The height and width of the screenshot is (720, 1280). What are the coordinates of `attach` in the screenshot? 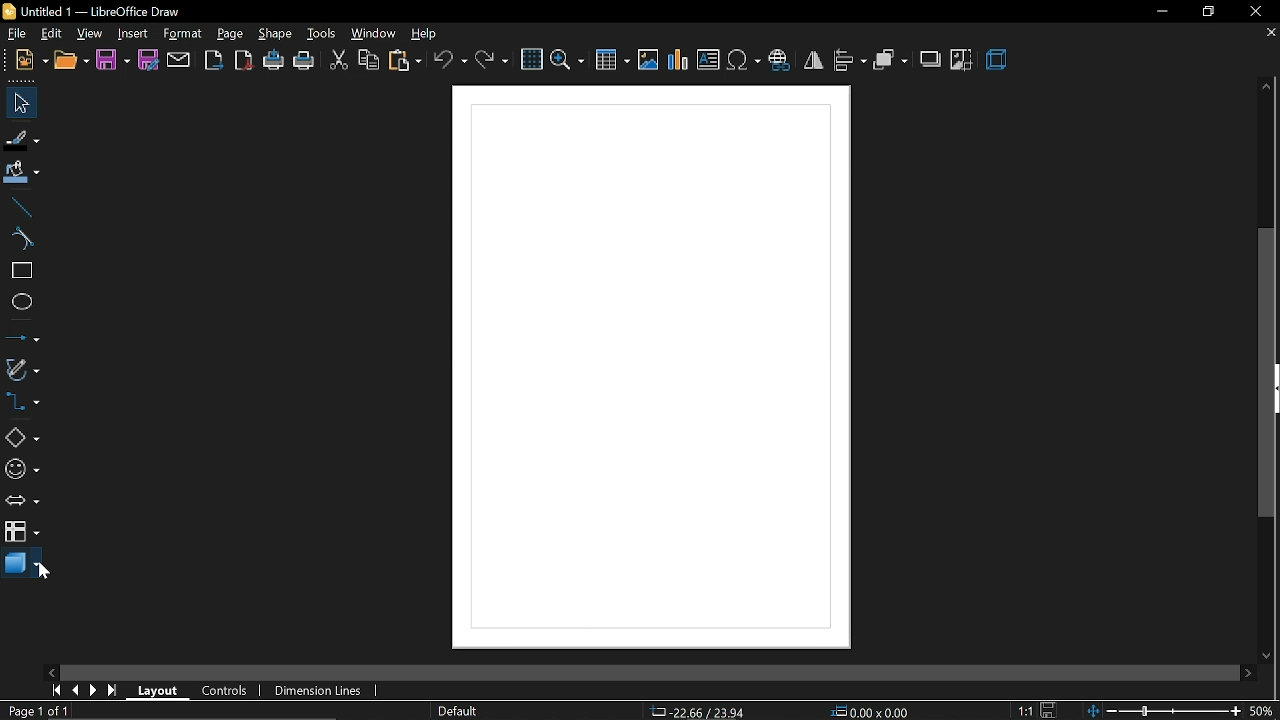 It's located at (179, 61).